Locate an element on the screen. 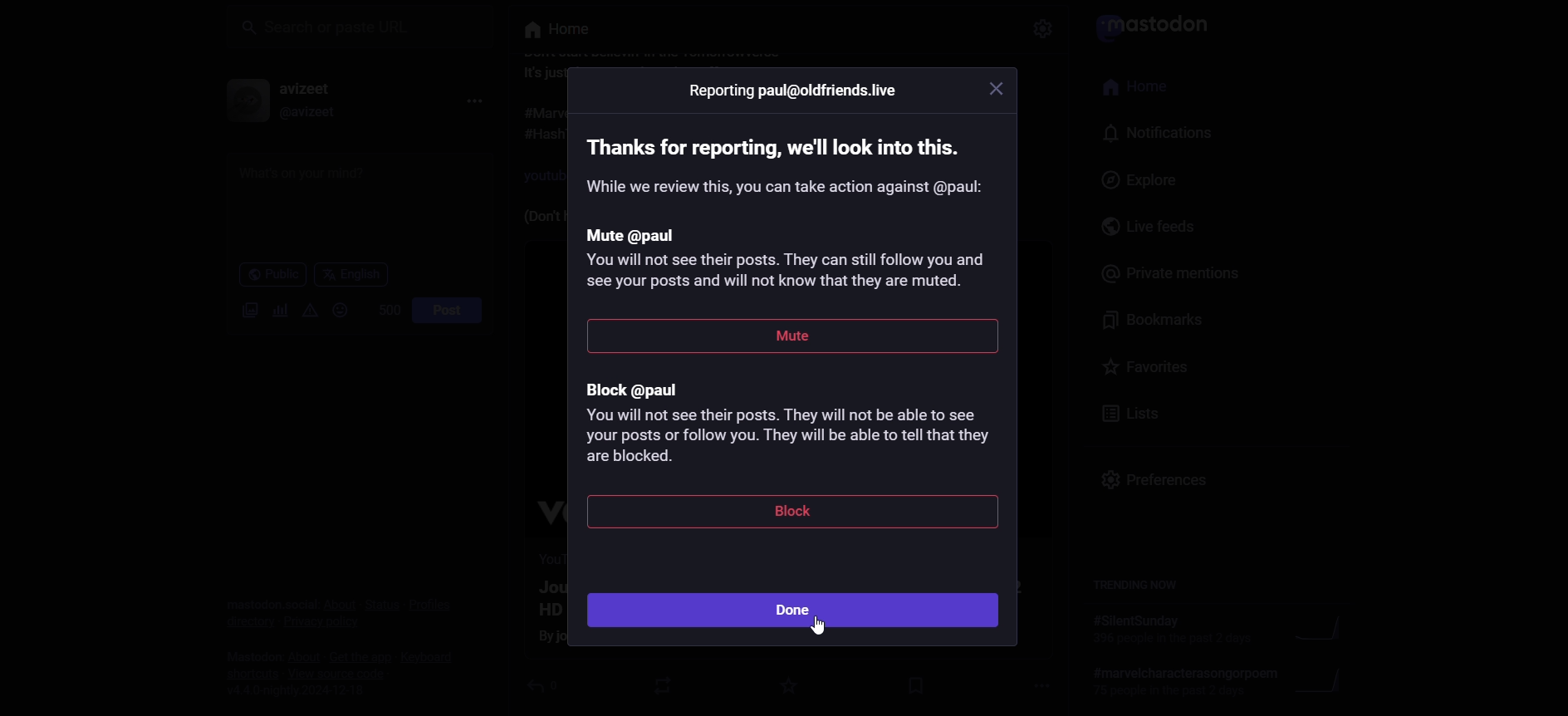  private mentions is located at coordinates (1169, 274).